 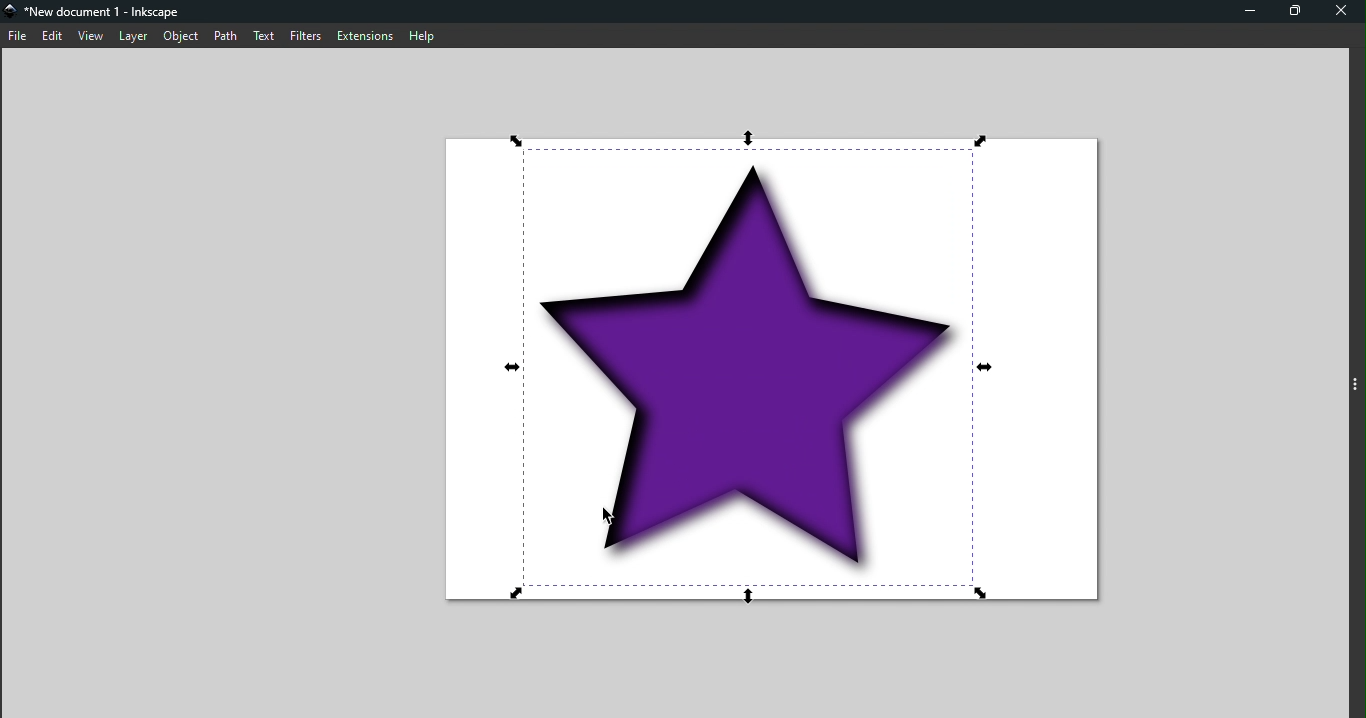 What do you see at coordinates (95, 12) in the screenshot?
I see `File name` at bounding box center [95, 12].